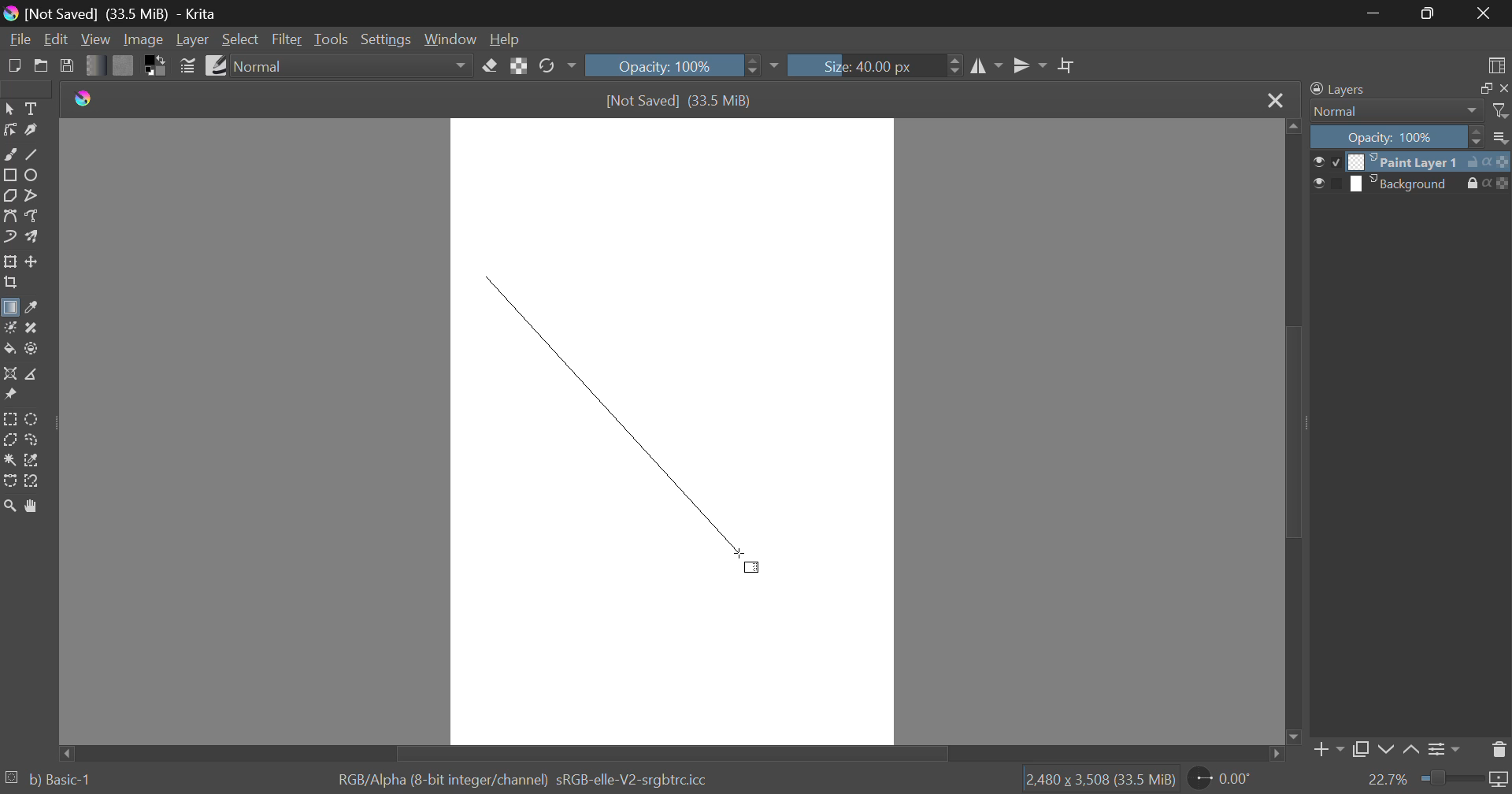 Image resolution: width=1512 pixels, height=794 pixels. What do you see at coordinates (1501, 137) in the screenshot?
I see `more options` at bounding box center [1501, 137].